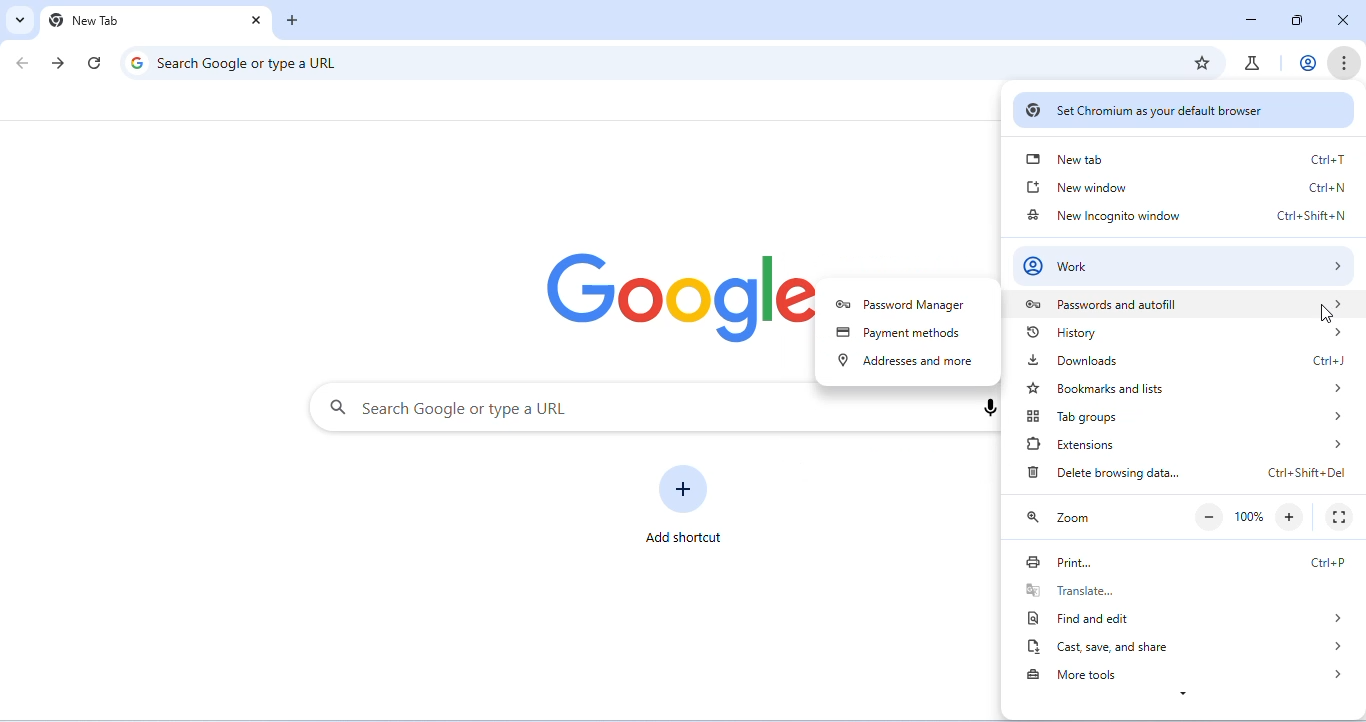  I want to click on google, so click(676, 300).